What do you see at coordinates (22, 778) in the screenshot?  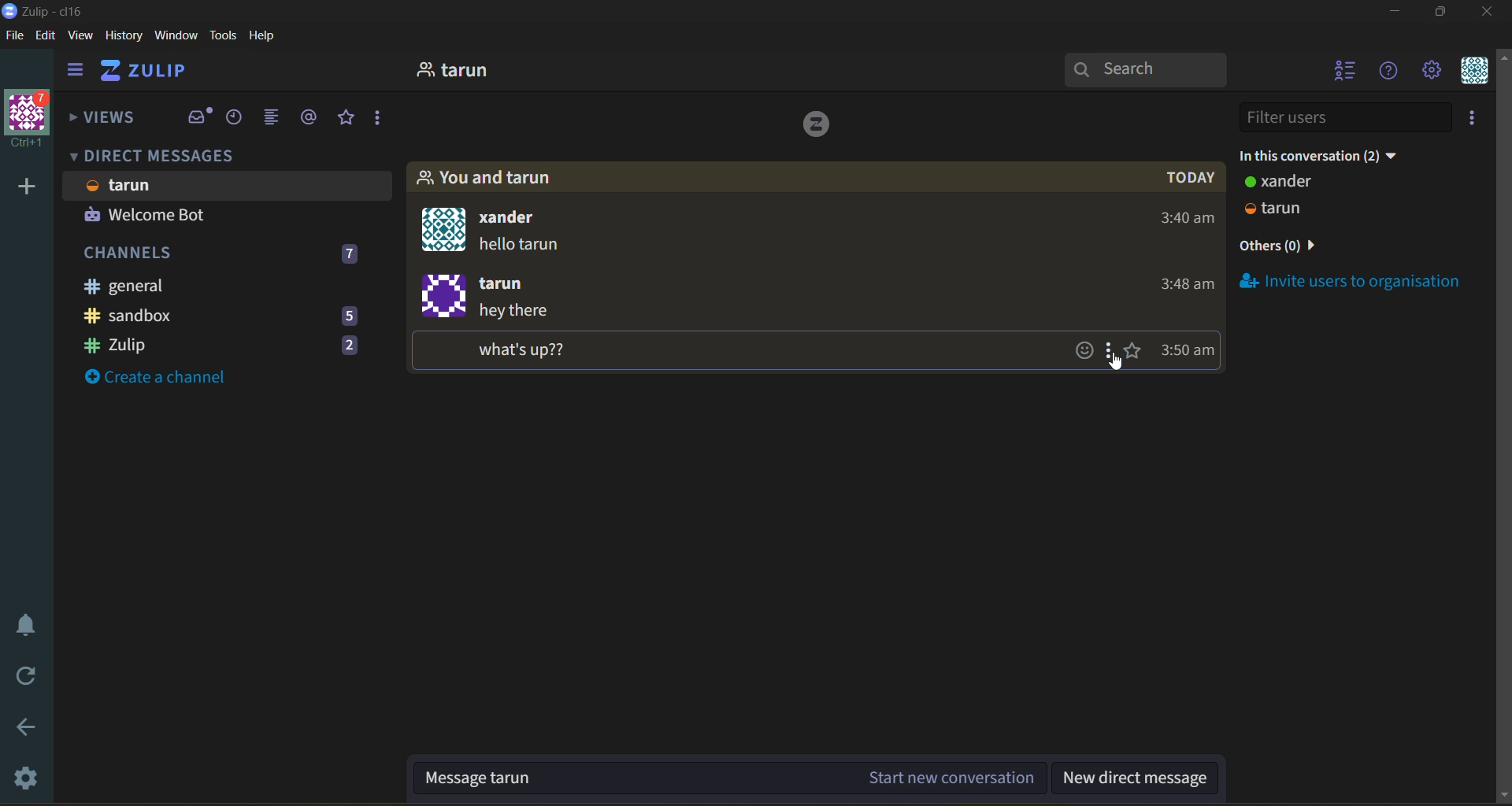 I see `settings` at bounding box center [22, 778].